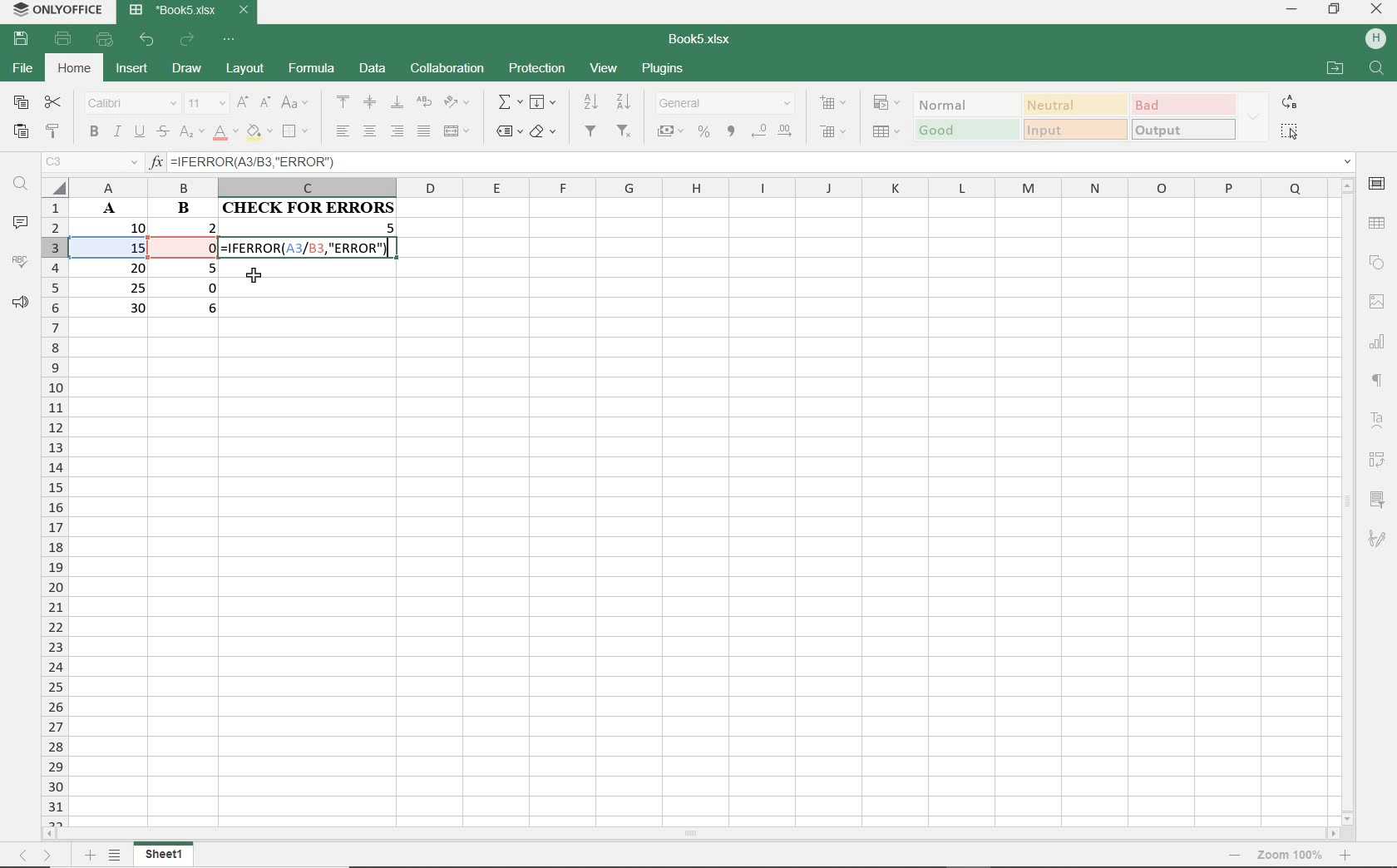  What do you see at coordinates (1379, 221) in the screenshot?
I see `` at bounding box center [1379, 221].